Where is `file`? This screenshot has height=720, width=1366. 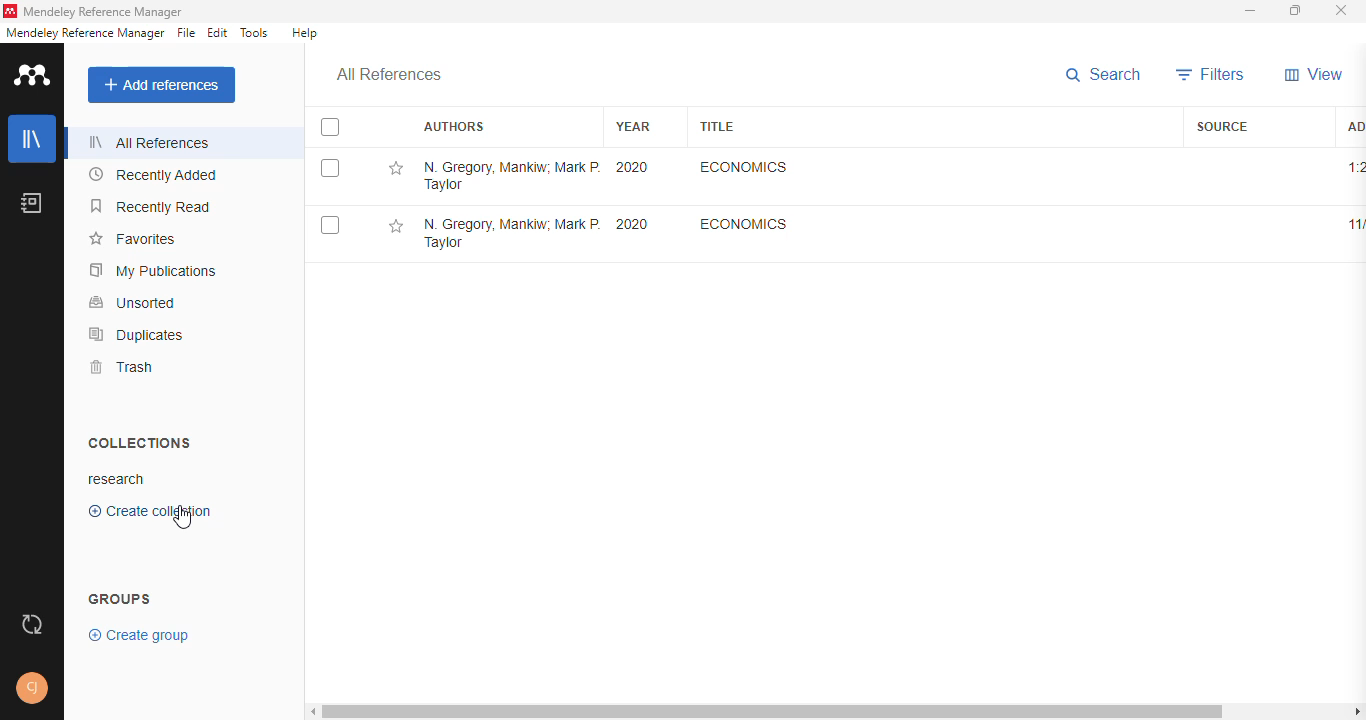 file is located at coordinates (186, 33).